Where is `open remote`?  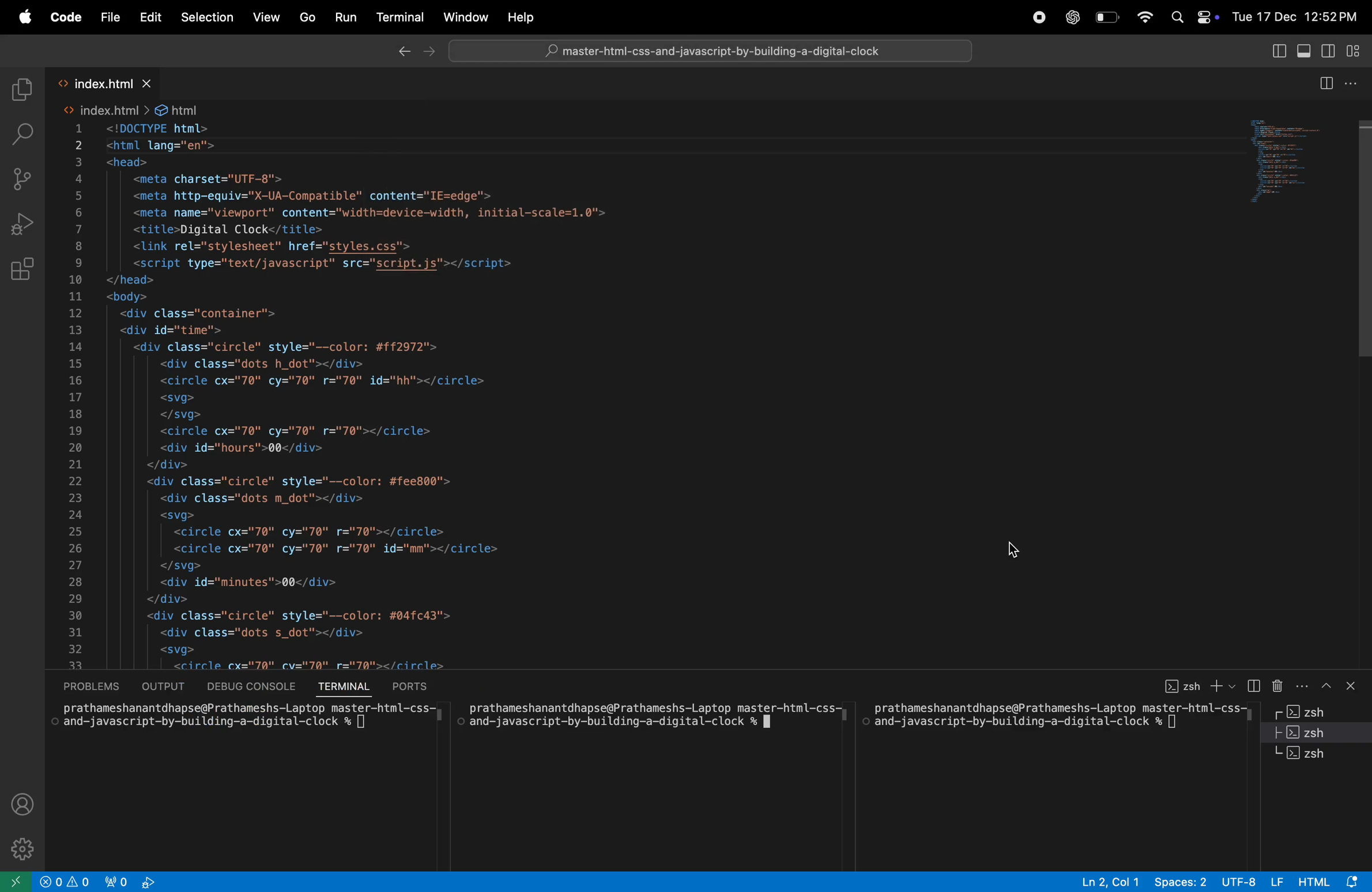 open remote is located at coordinates (18, 882).